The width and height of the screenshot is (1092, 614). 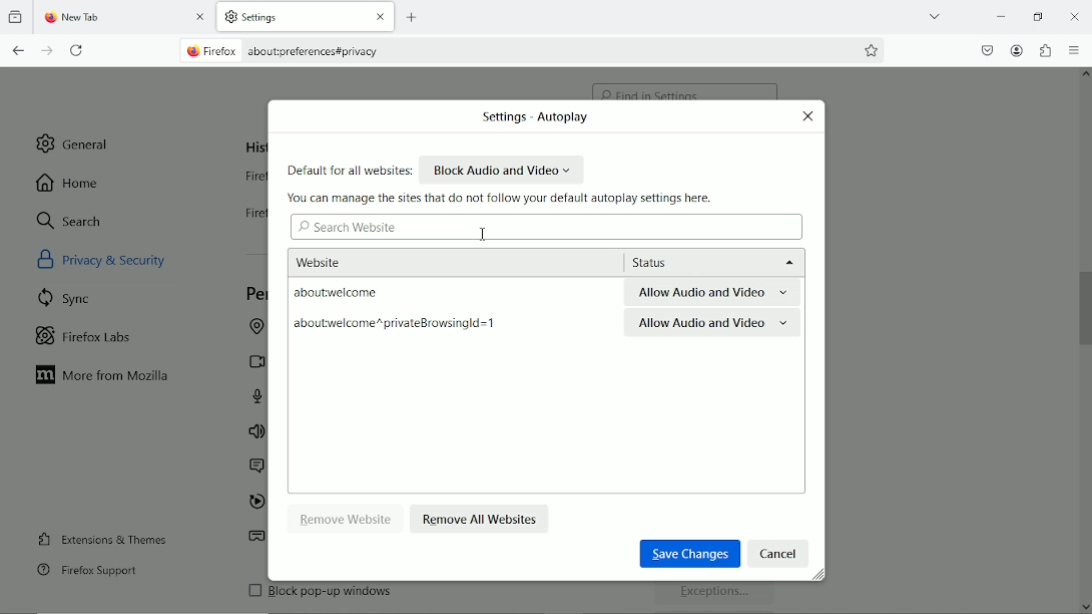 What do you see at coordinates (348, 228) in the screenshot?
I see `search website` at bounding box center [348, 228].